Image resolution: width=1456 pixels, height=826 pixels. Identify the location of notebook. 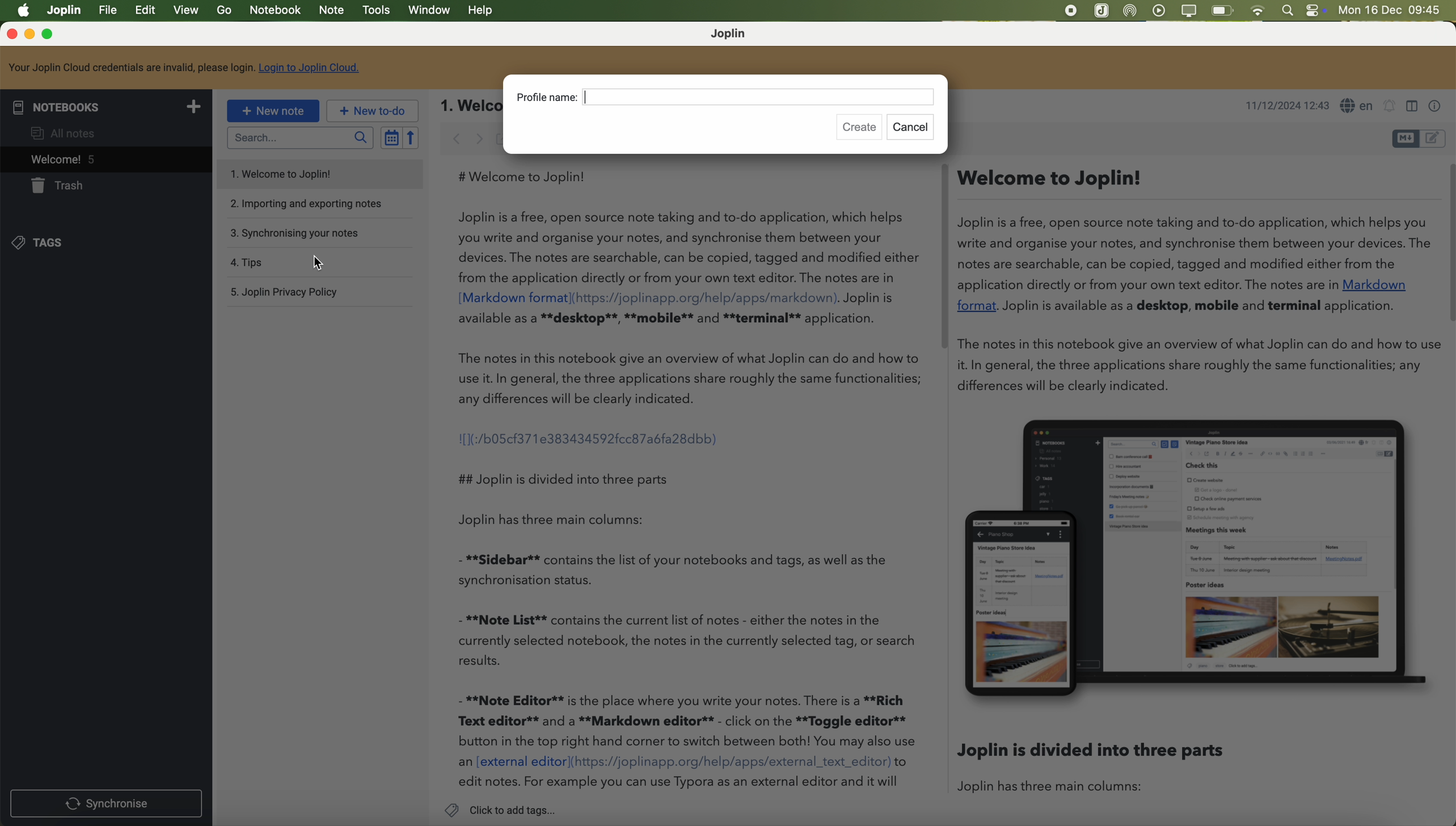
(275, 11).